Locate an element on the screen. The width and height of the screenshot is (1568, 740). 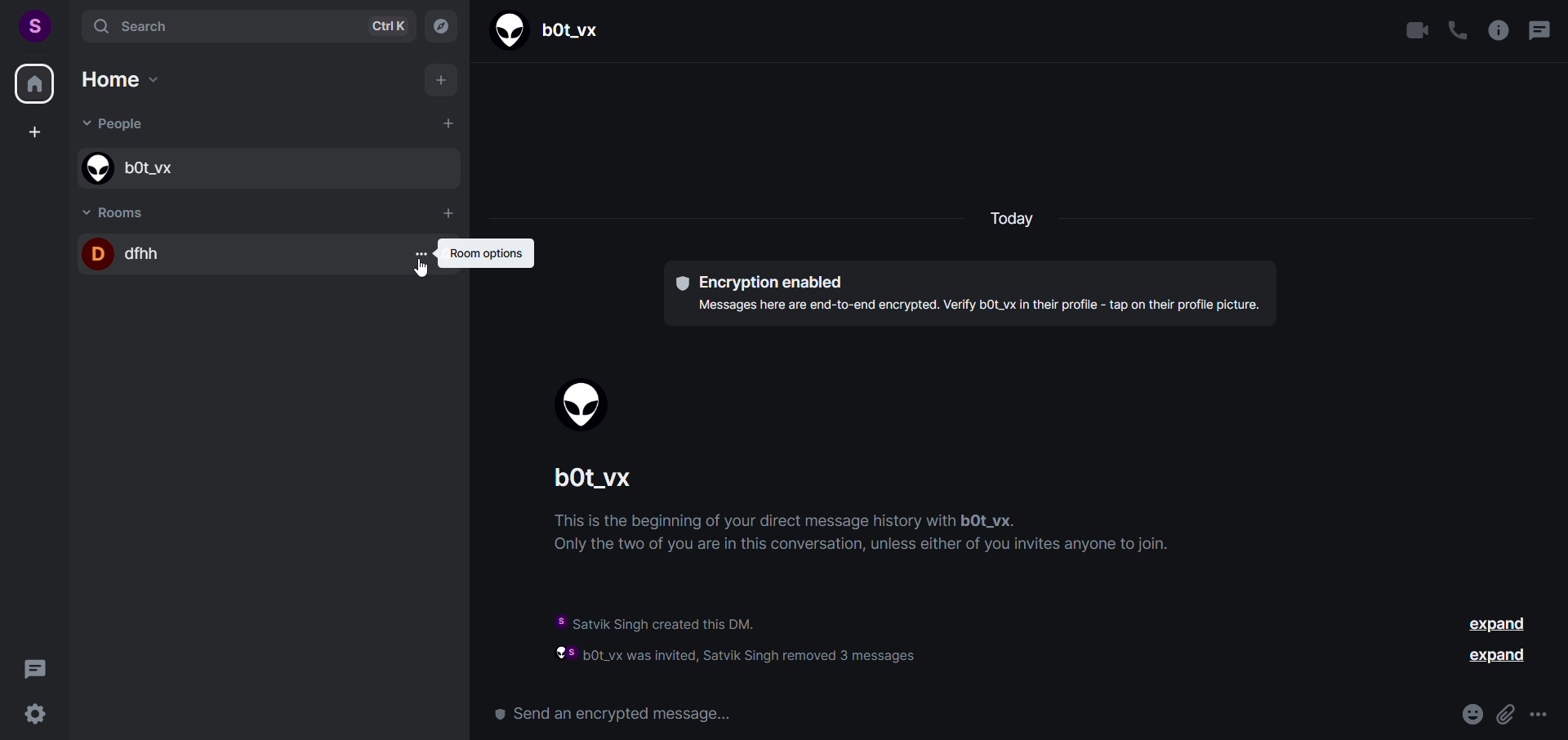
send a message is located at coordinates (626, 711).